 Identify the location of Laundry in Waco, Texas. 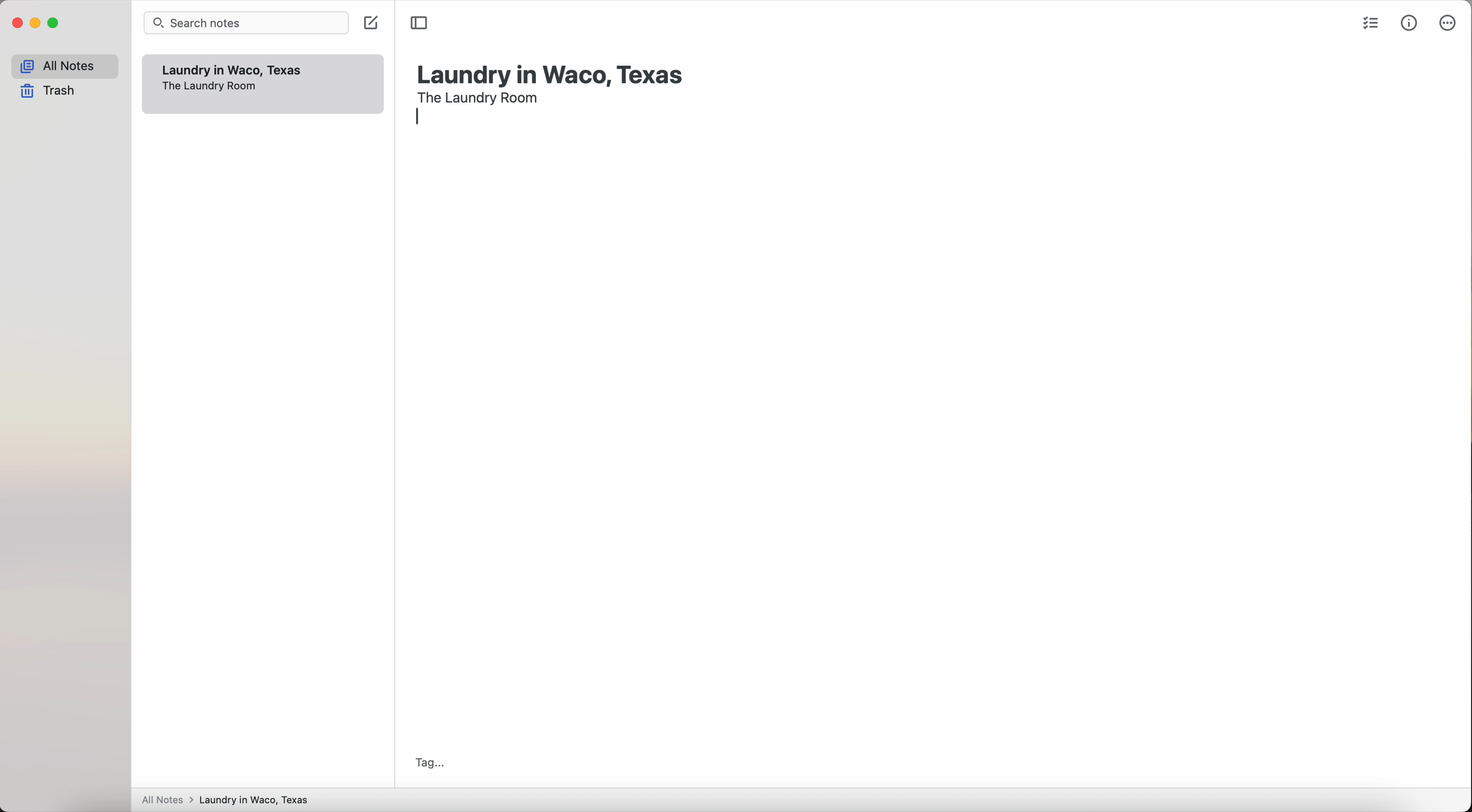
(234, 70).